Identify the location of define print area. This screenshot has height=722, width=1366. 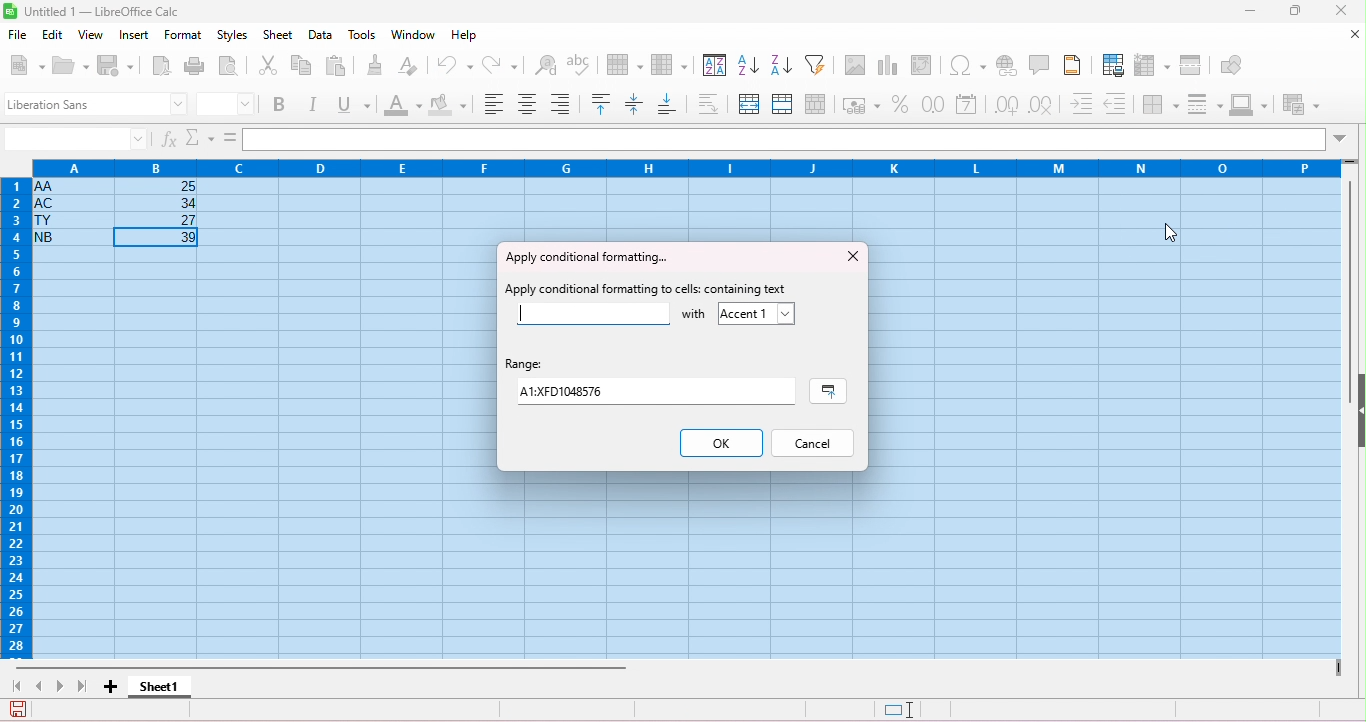
(1114, 66).